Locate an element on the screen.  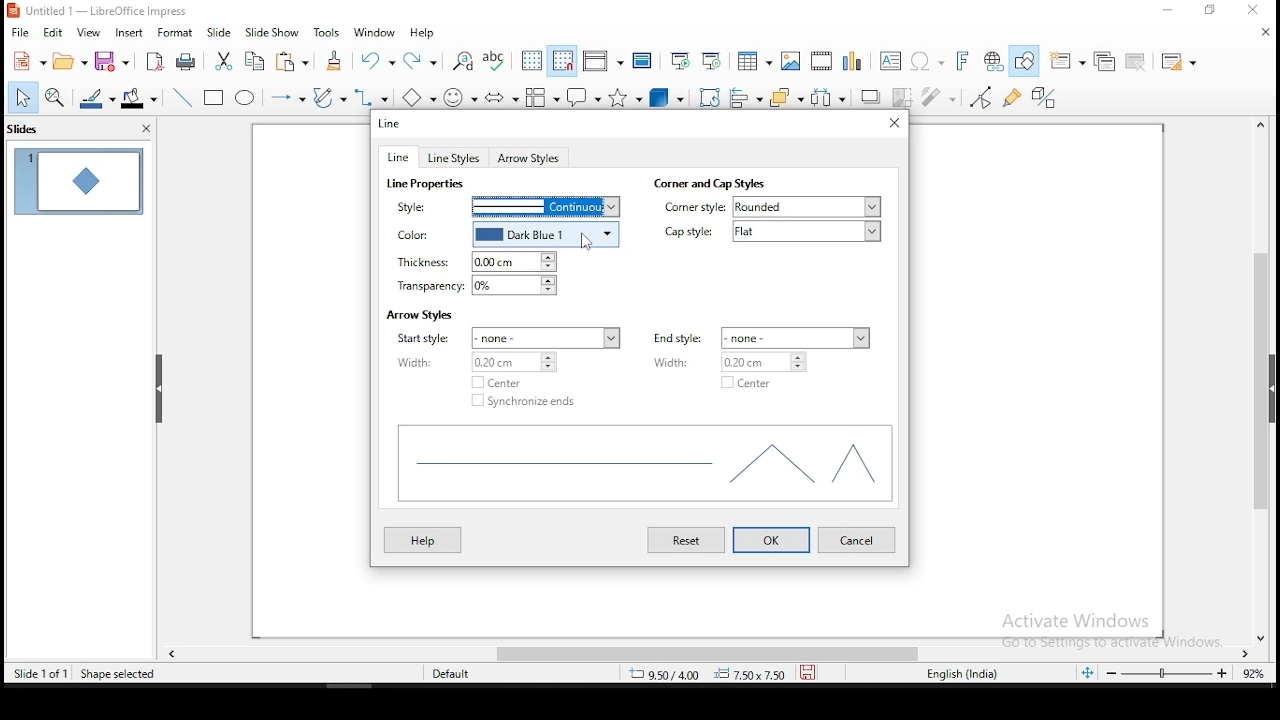
activate windows is located at coordinates (1105, 631).